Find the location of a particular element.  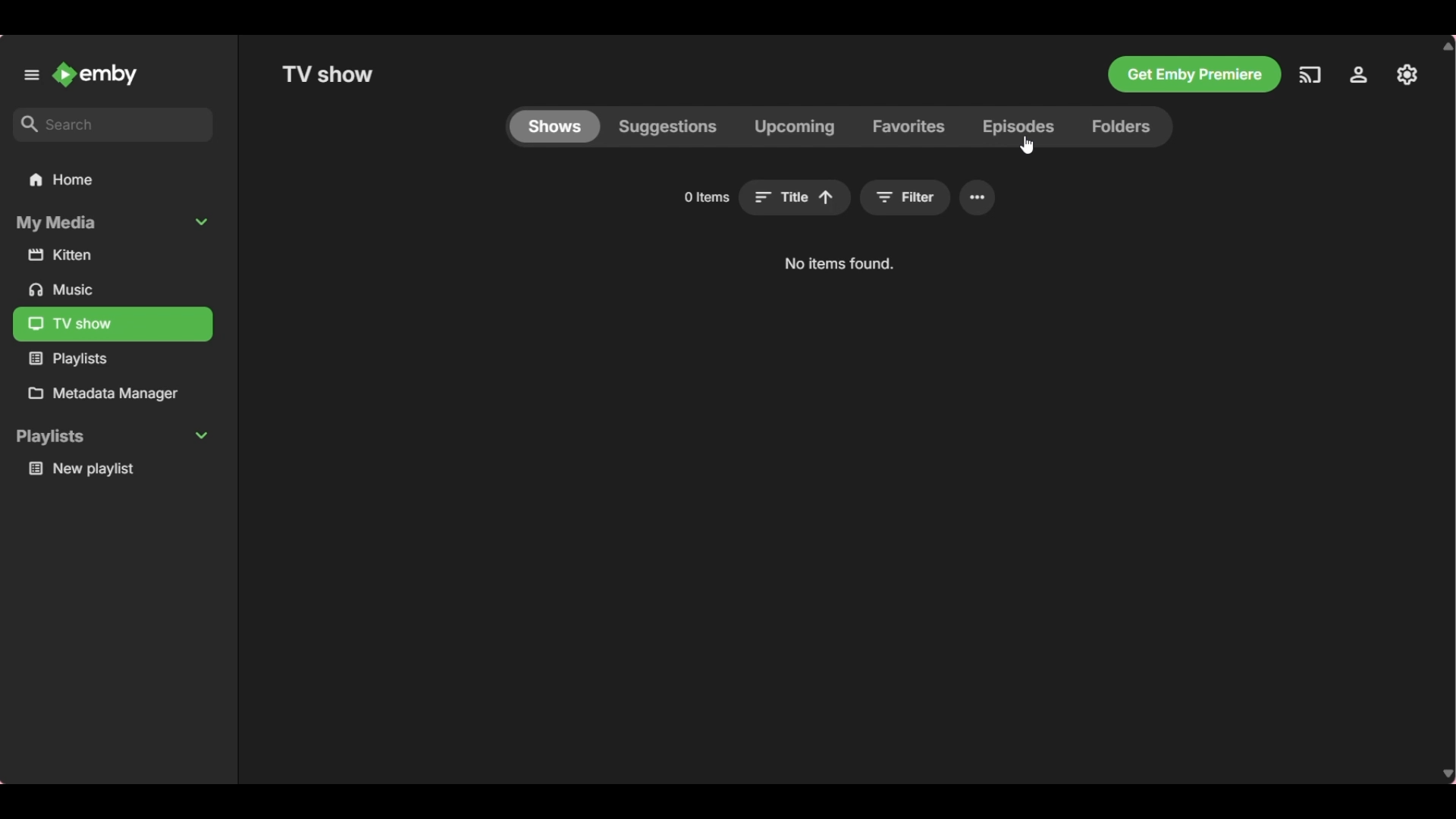

Description of current selection is located at coordinates (836, 263).